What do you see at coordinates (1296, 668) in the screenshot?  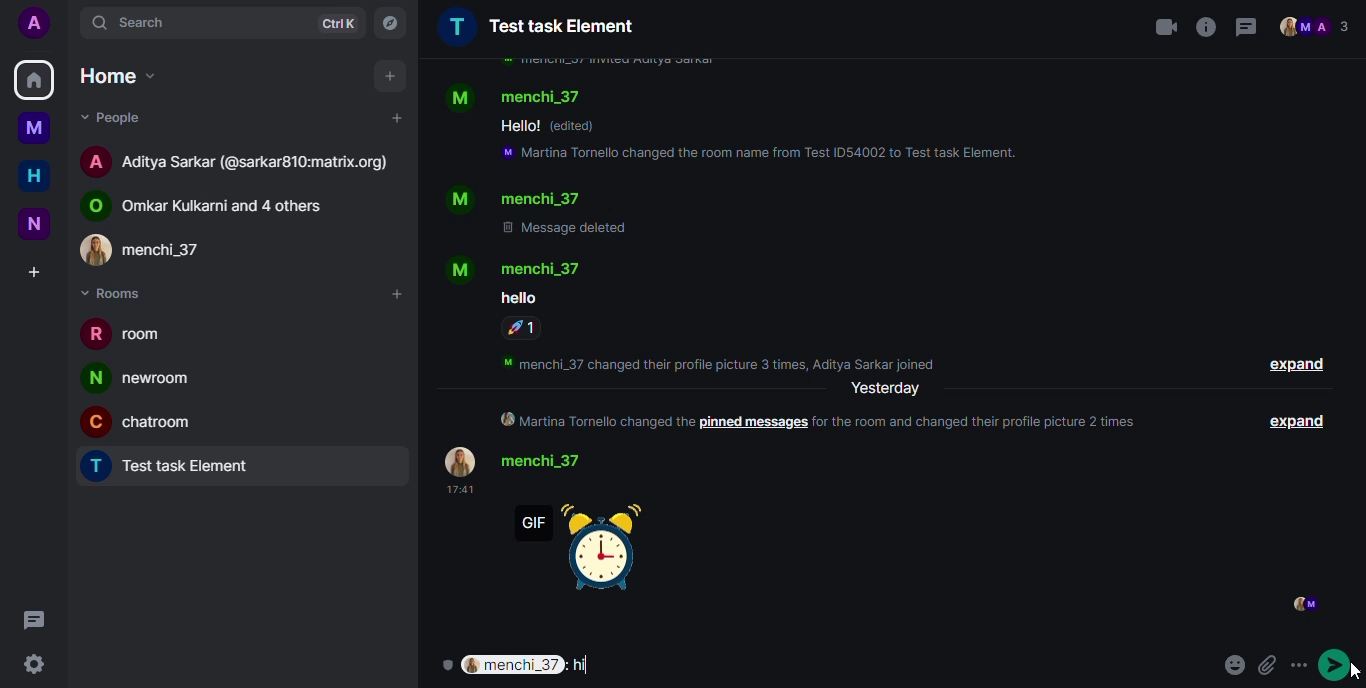 I see `more` at bounding box center [1296, 668].